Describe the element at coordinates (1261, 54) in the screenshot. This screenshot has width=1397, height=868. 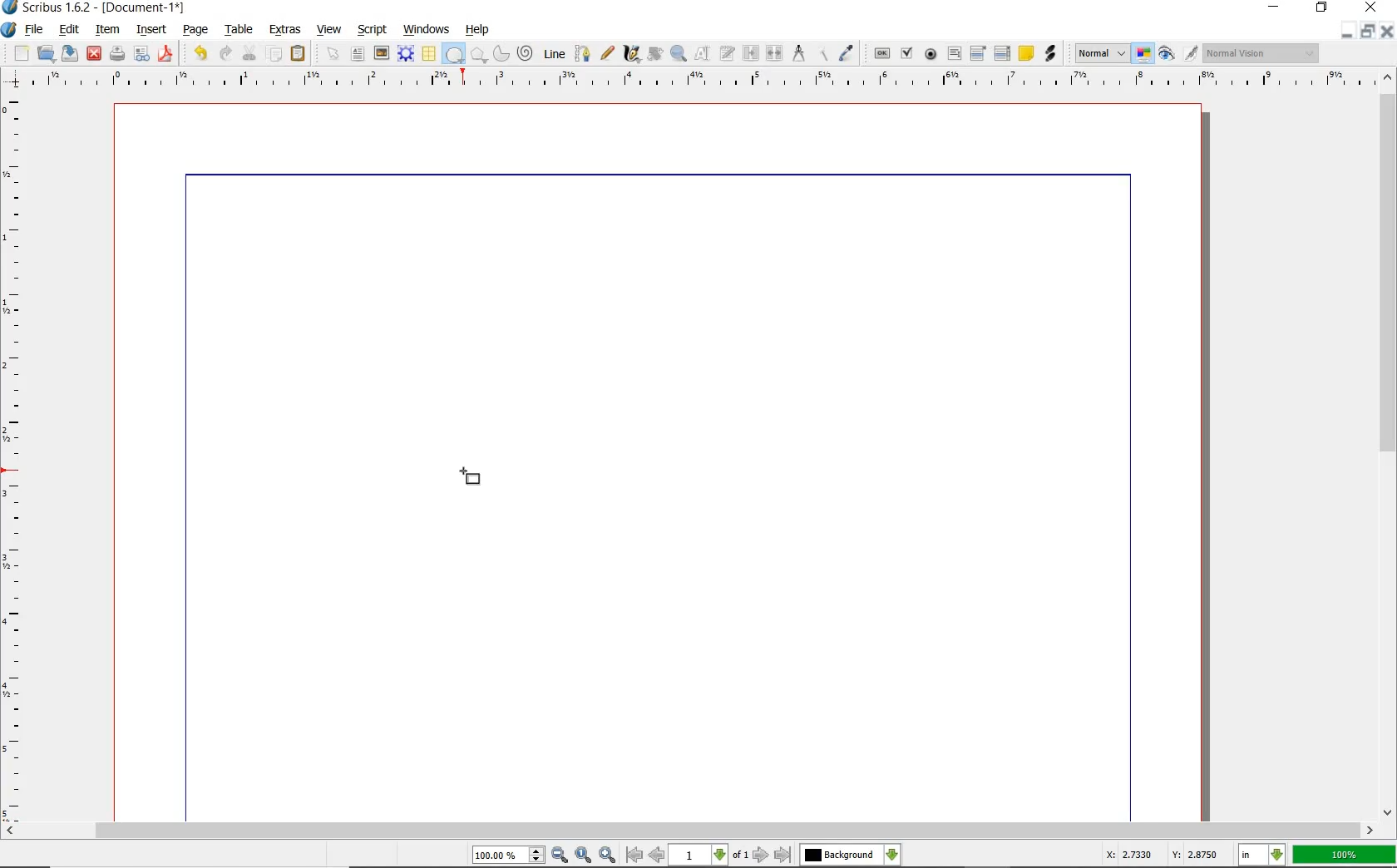
I see `visual appearance of the display` at that location.